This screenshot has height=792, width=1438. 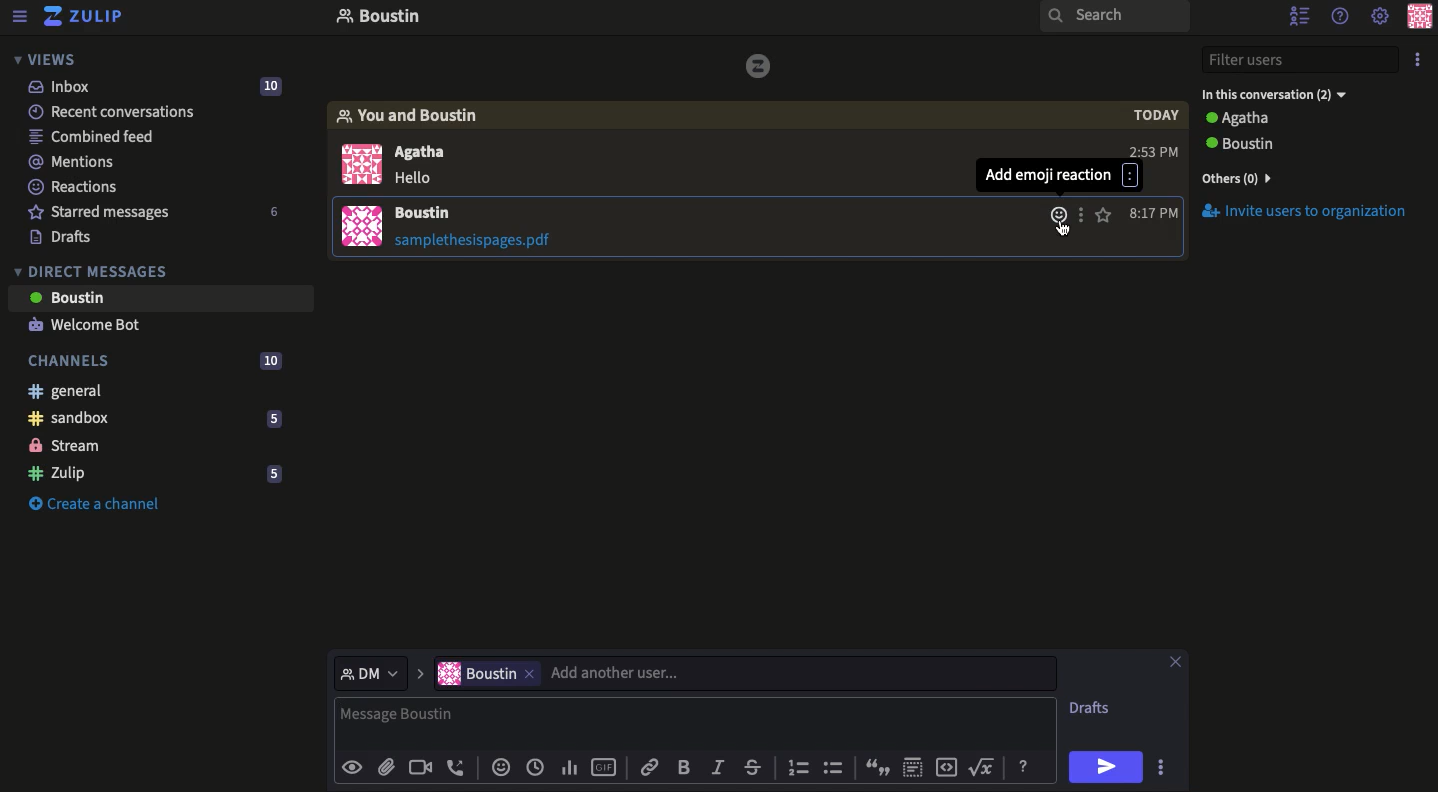 I want to click on General, so click(x=66, y=391).